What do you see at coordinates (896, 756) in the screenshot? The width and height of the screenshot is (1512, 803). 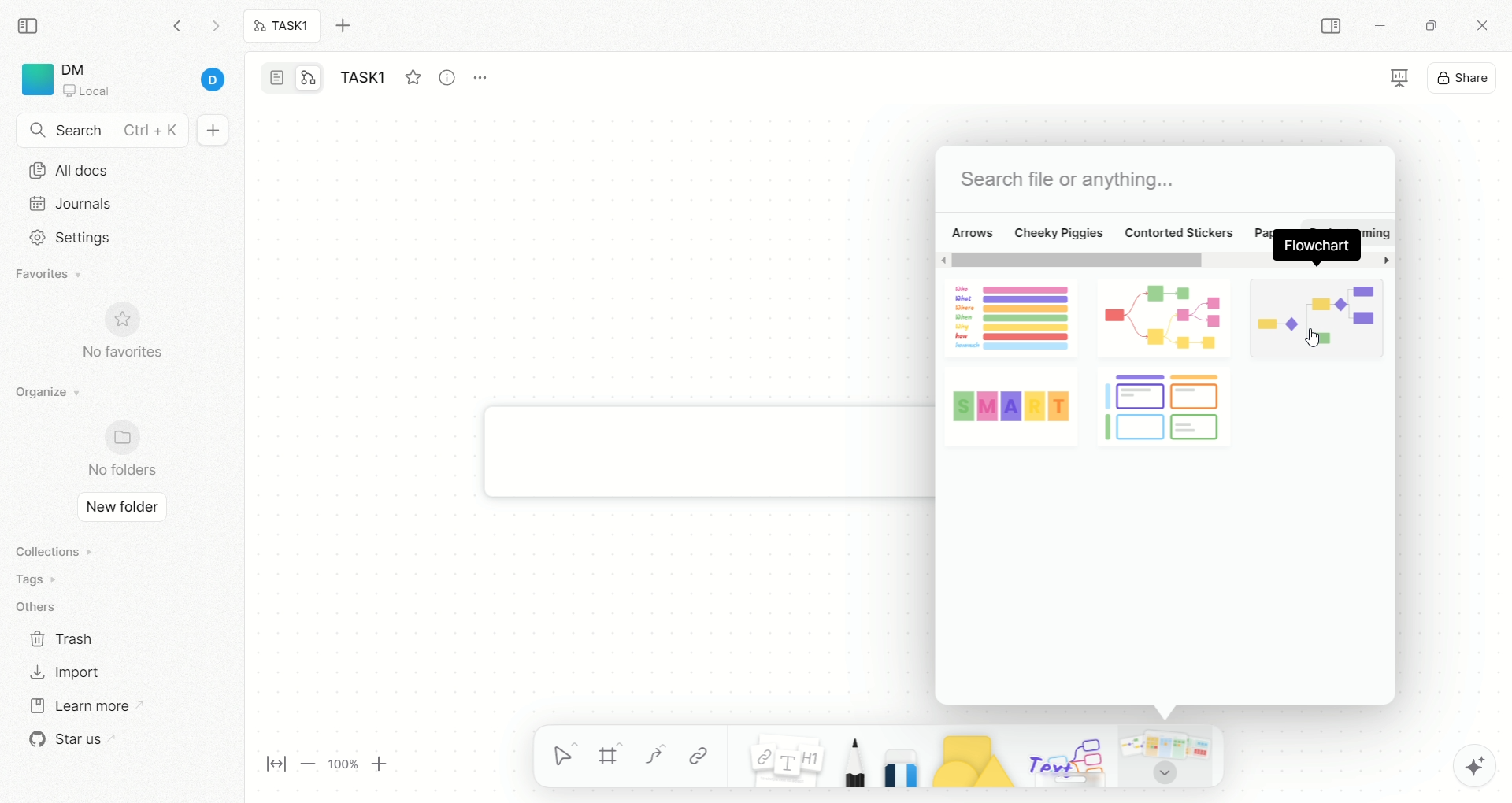 I see `eraser` at bounding box center [896, 756].